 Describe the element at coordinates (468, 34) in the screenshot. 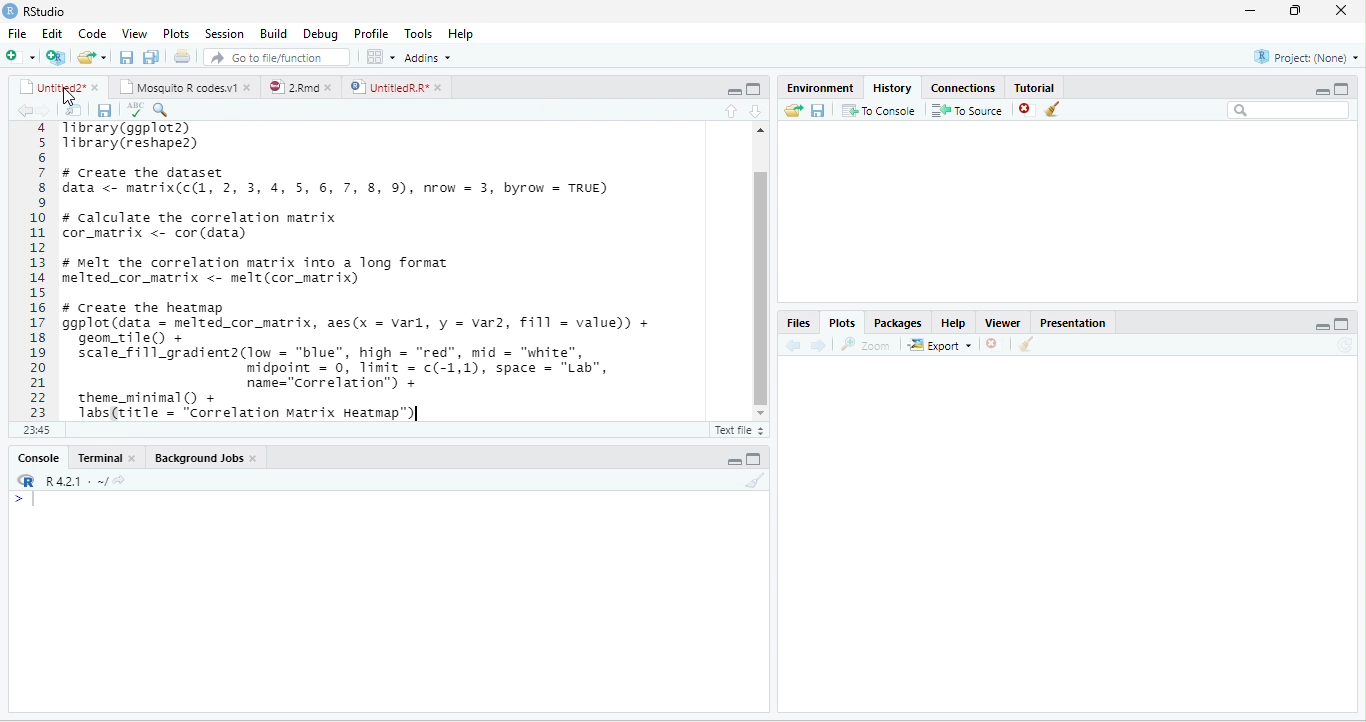

I see `help` at that location.